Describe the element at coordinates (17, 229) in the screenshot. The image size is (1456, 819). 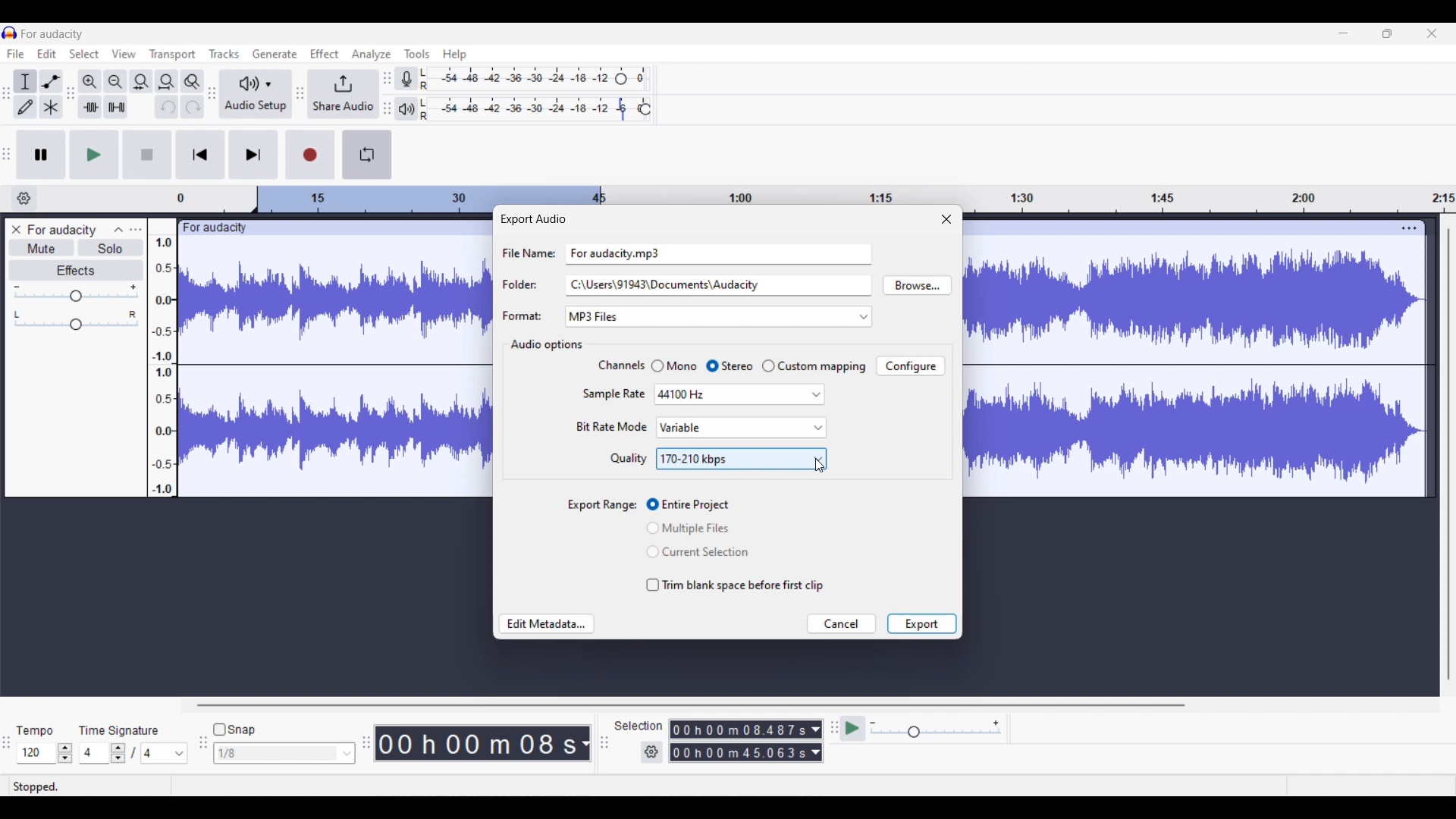
I see `Close track` at that location.